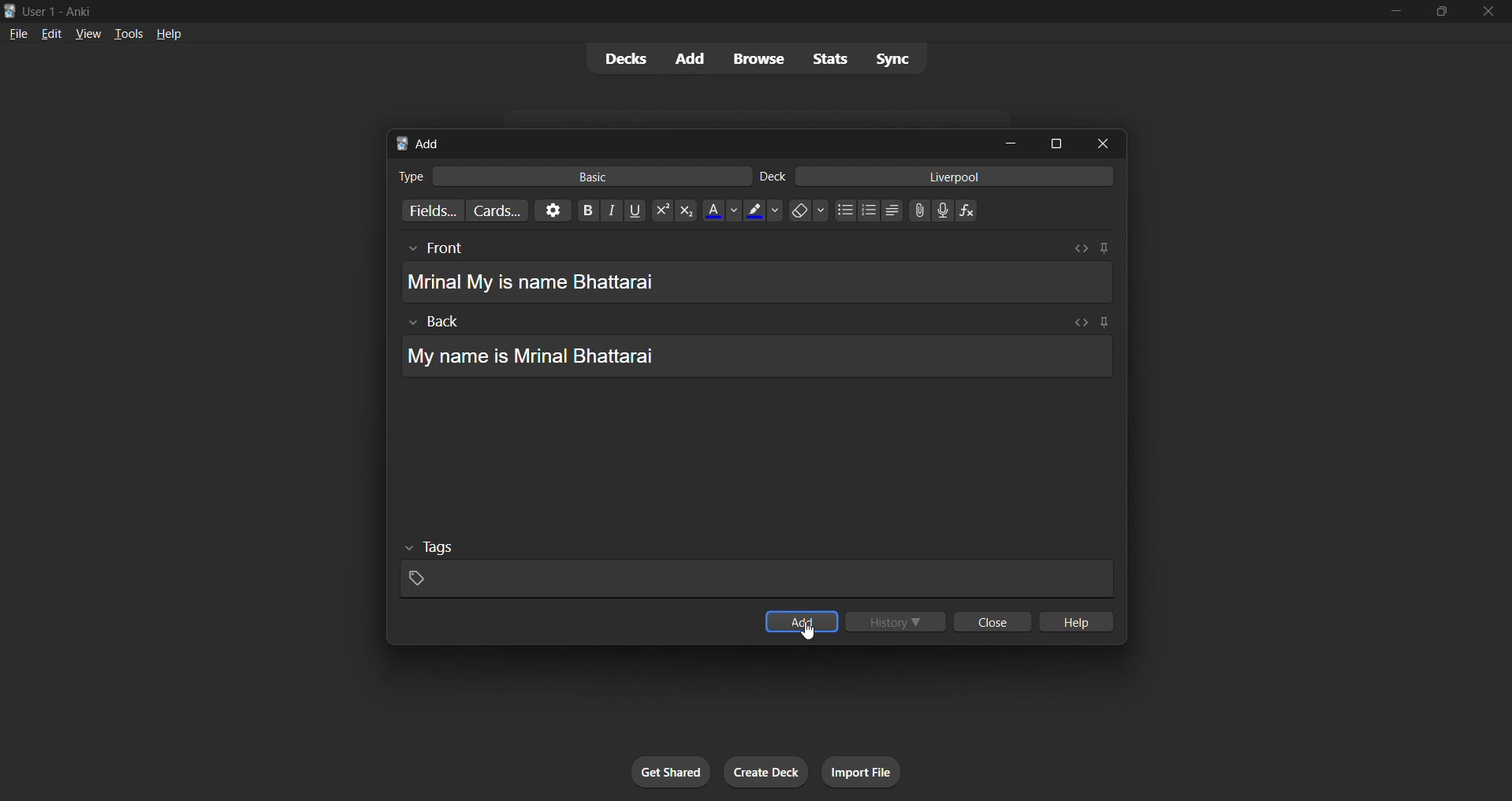 Image resolution: width=1512 pixels, height=801 pixels. What do you see at coordinates (667, 9) in the screenshot?
I see `title bar` at bounding box center [667, 9].